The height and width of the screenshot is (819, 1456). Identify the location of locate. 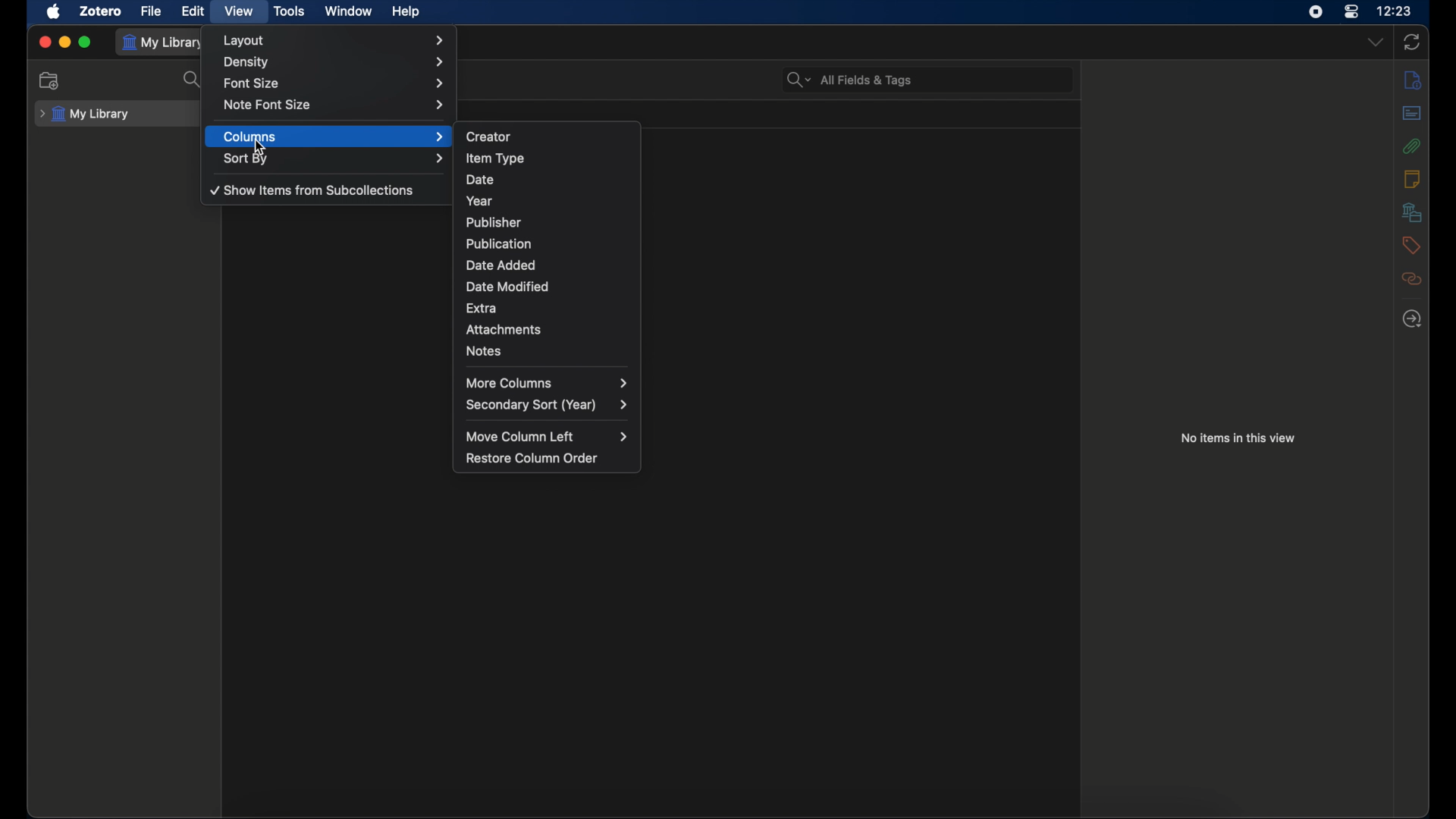
(1412, 319).